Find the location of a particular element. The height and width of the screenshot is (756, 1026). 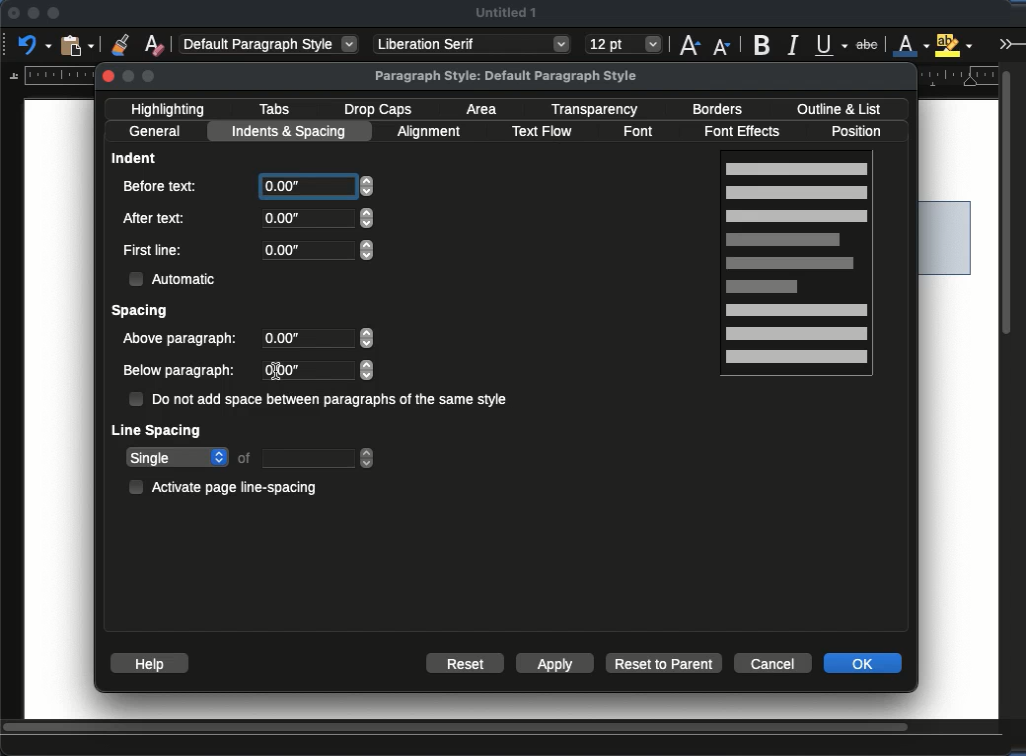

expand is located at coordinates (1009, 43).